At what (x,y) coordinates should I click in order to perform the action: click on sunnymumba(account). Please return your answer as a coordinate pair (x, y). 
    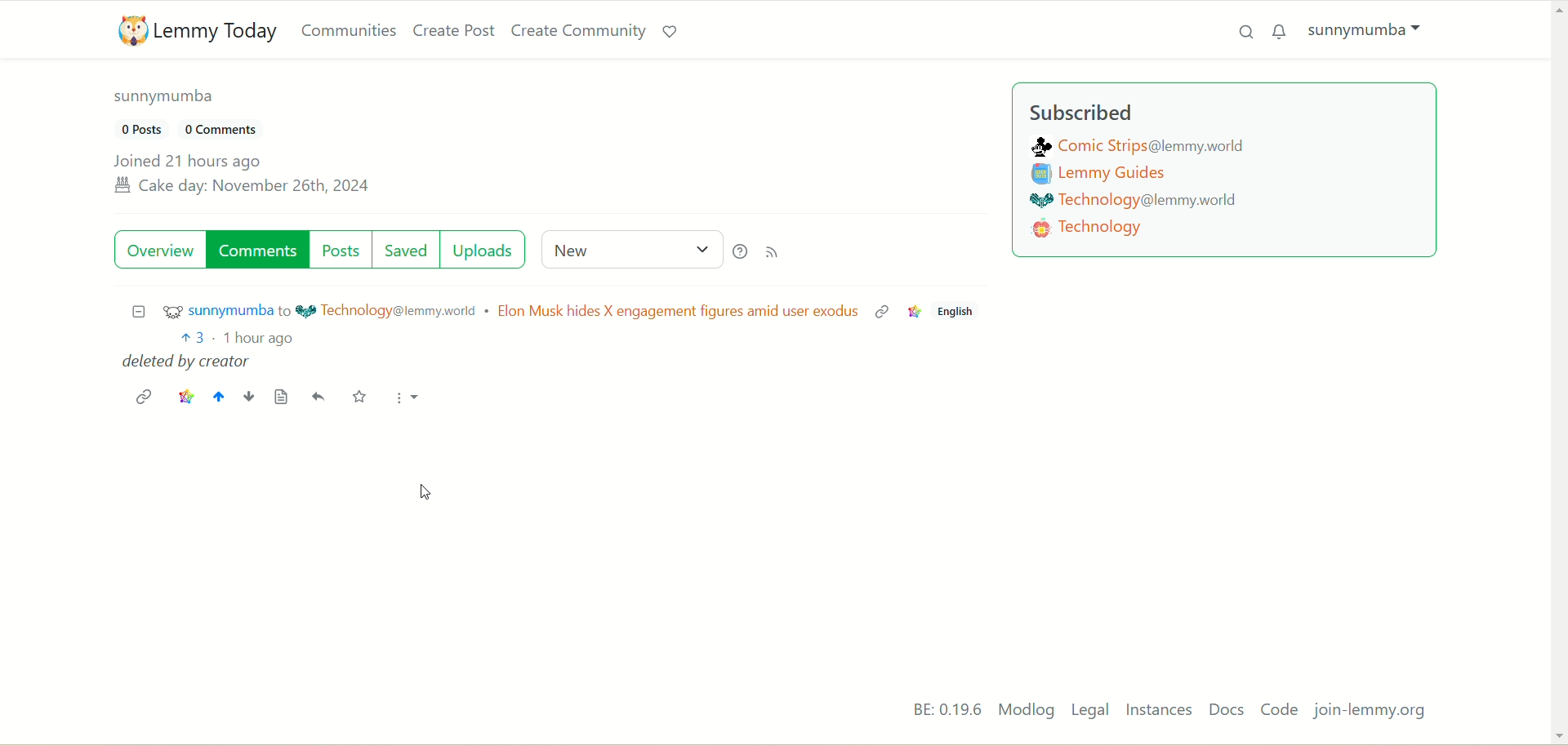
    Looking at the image, I should click on (1371, 33).